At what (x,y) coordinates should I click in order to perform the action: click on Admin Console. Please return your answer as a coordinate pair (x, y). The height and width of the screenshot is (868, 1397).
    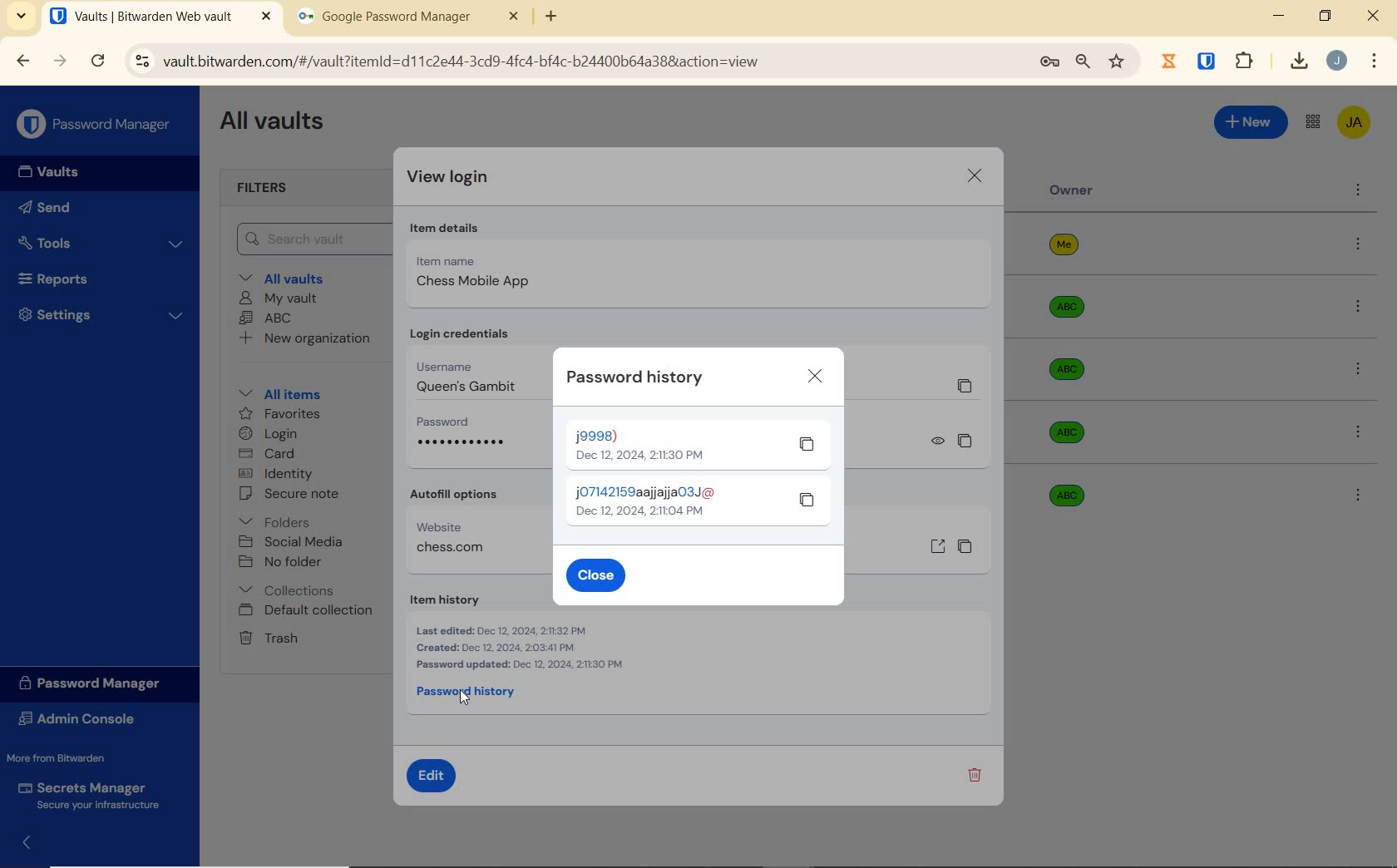
    Looking at the image, I should click on (86, 721).